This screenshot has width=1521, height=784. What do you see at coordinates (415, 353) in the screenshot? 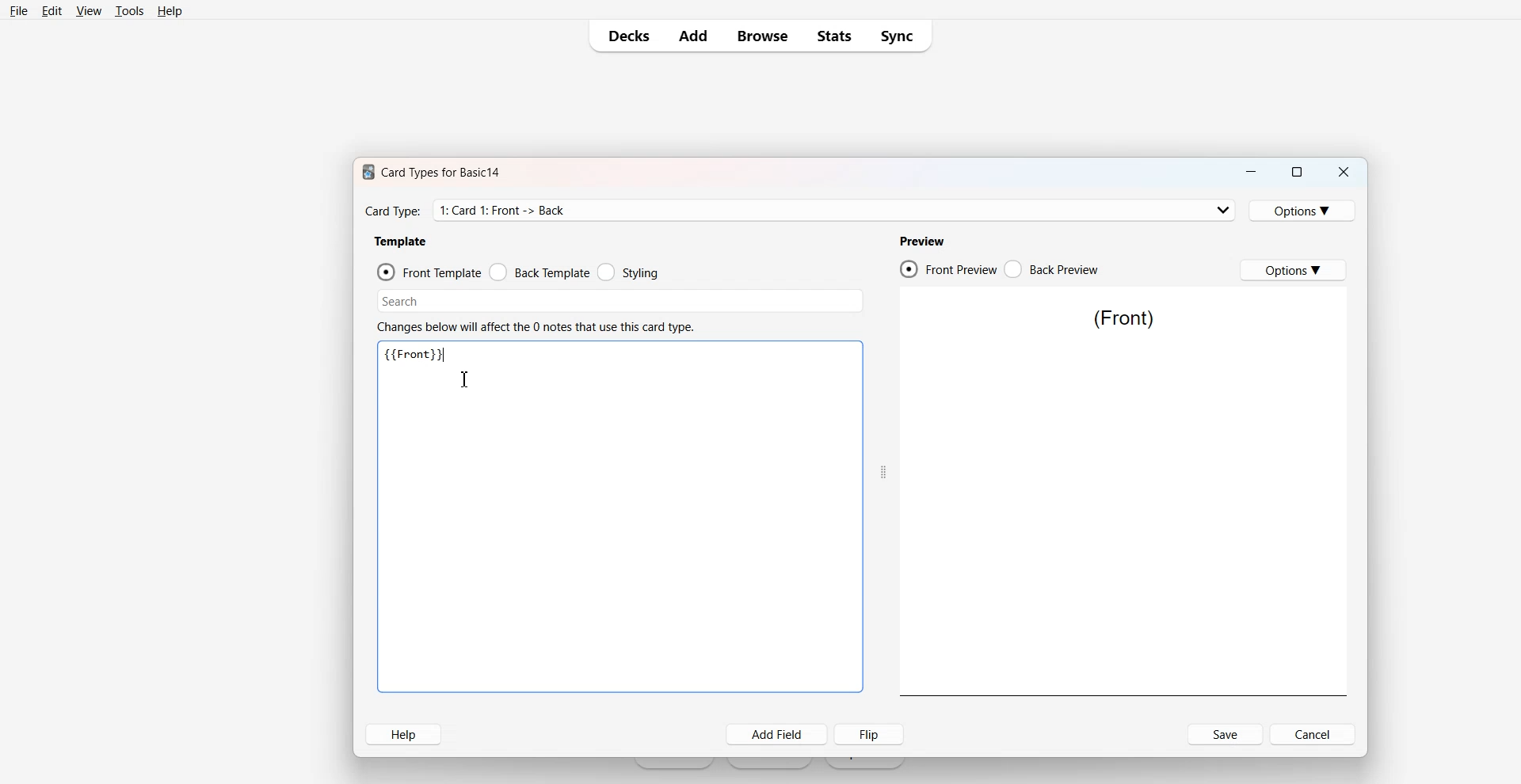
I see `Text 3` at bounding box center [415, 353].